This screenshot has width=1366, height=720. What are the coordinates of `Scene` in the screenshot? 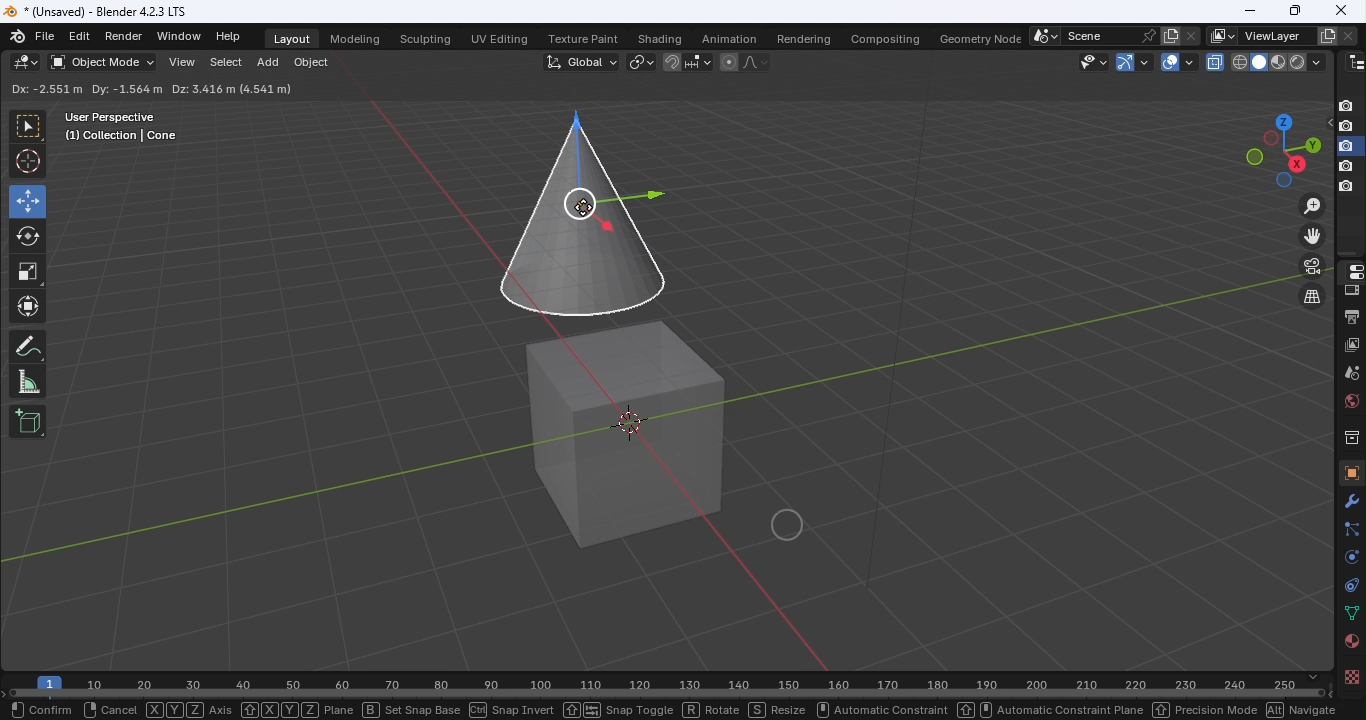 It's located at (1351, 372).